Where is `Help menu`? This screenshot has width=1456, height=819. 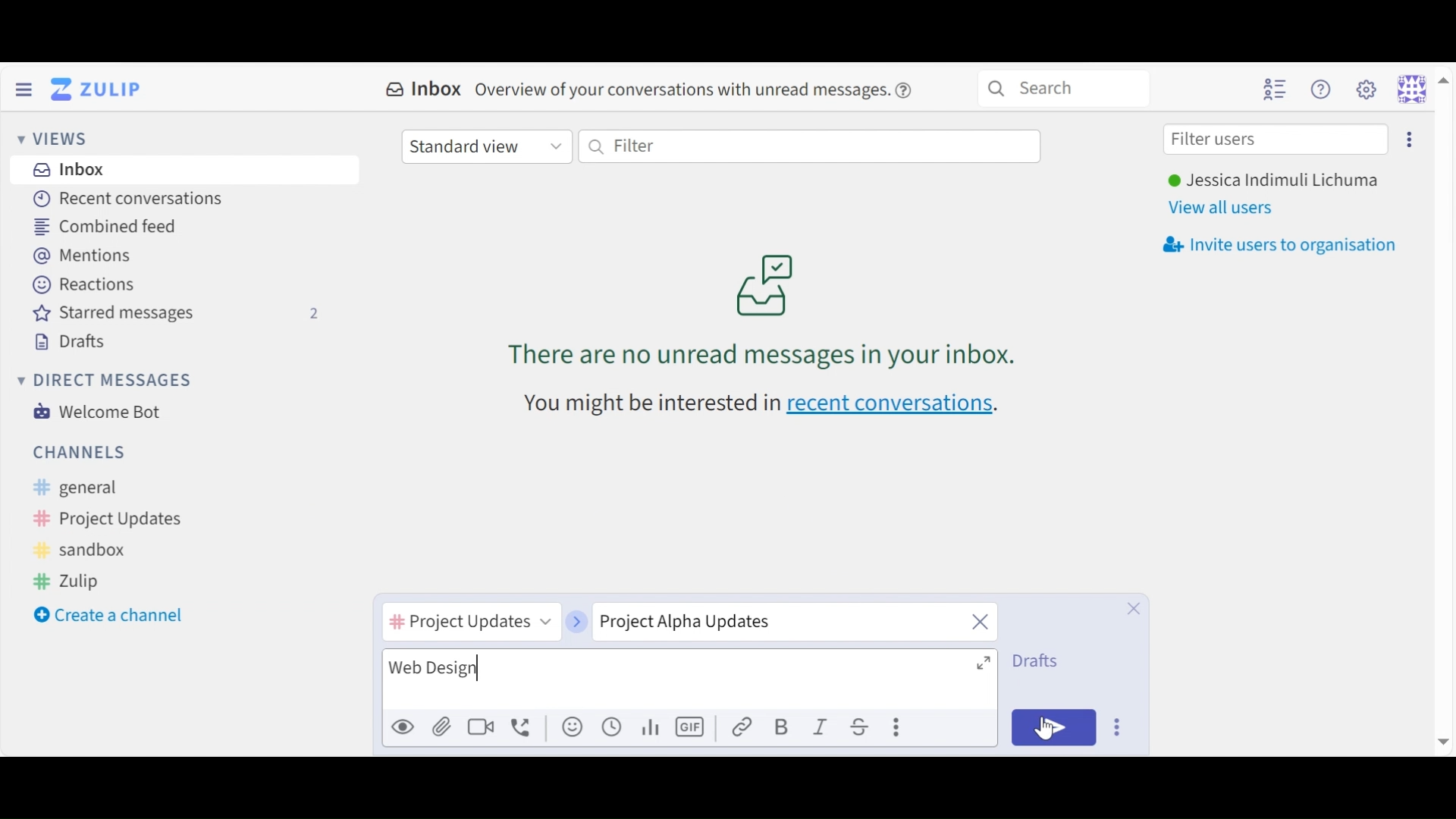
Help menu is located at coordinates (1323, 89).